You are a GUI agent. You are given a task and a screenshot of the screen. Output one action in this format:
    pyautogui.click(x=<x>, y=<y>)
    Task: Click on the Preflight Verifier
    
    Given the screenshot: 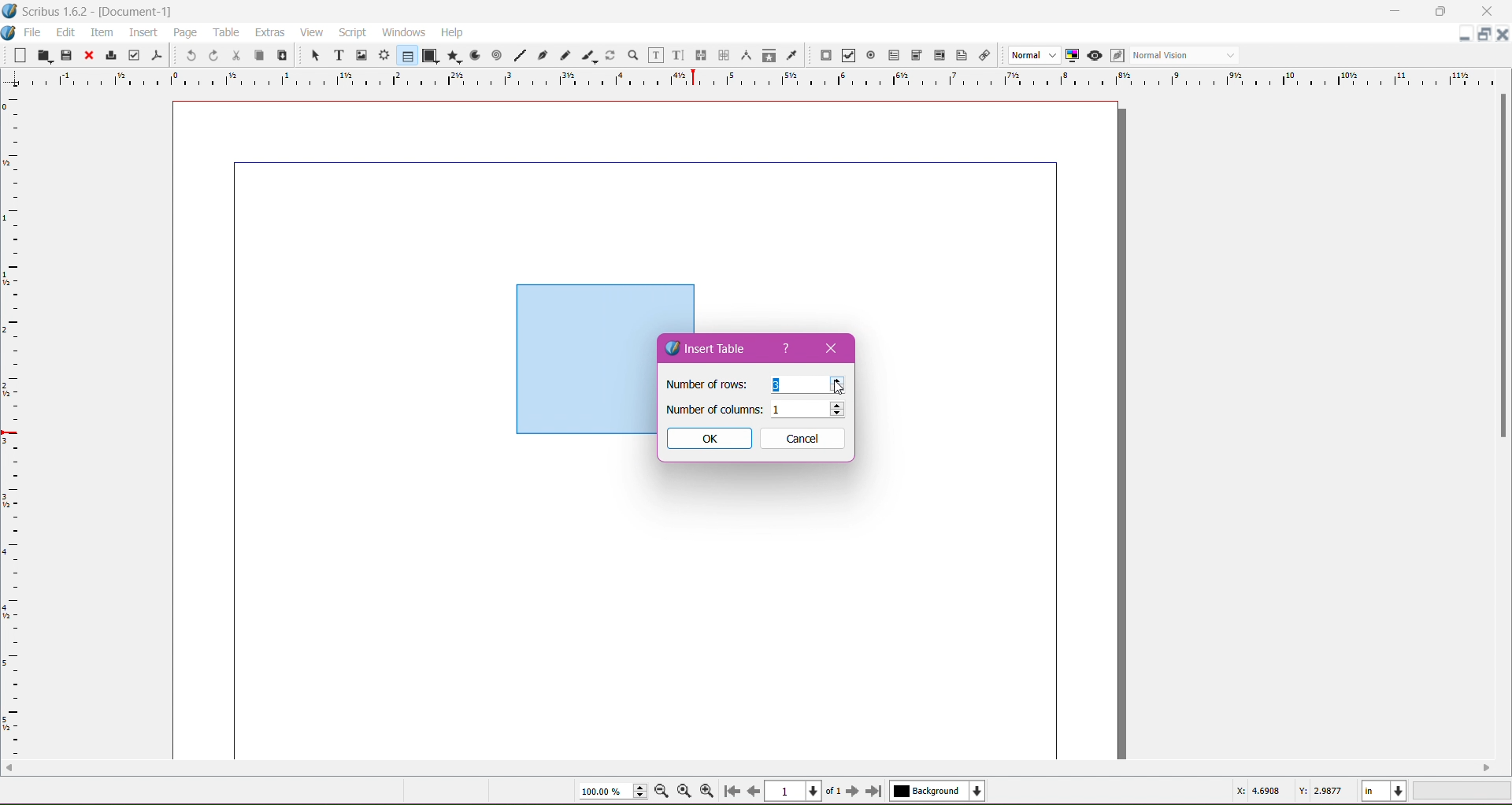 What is the action you would take?
    pyautogui.click(x=134, y=52)
    